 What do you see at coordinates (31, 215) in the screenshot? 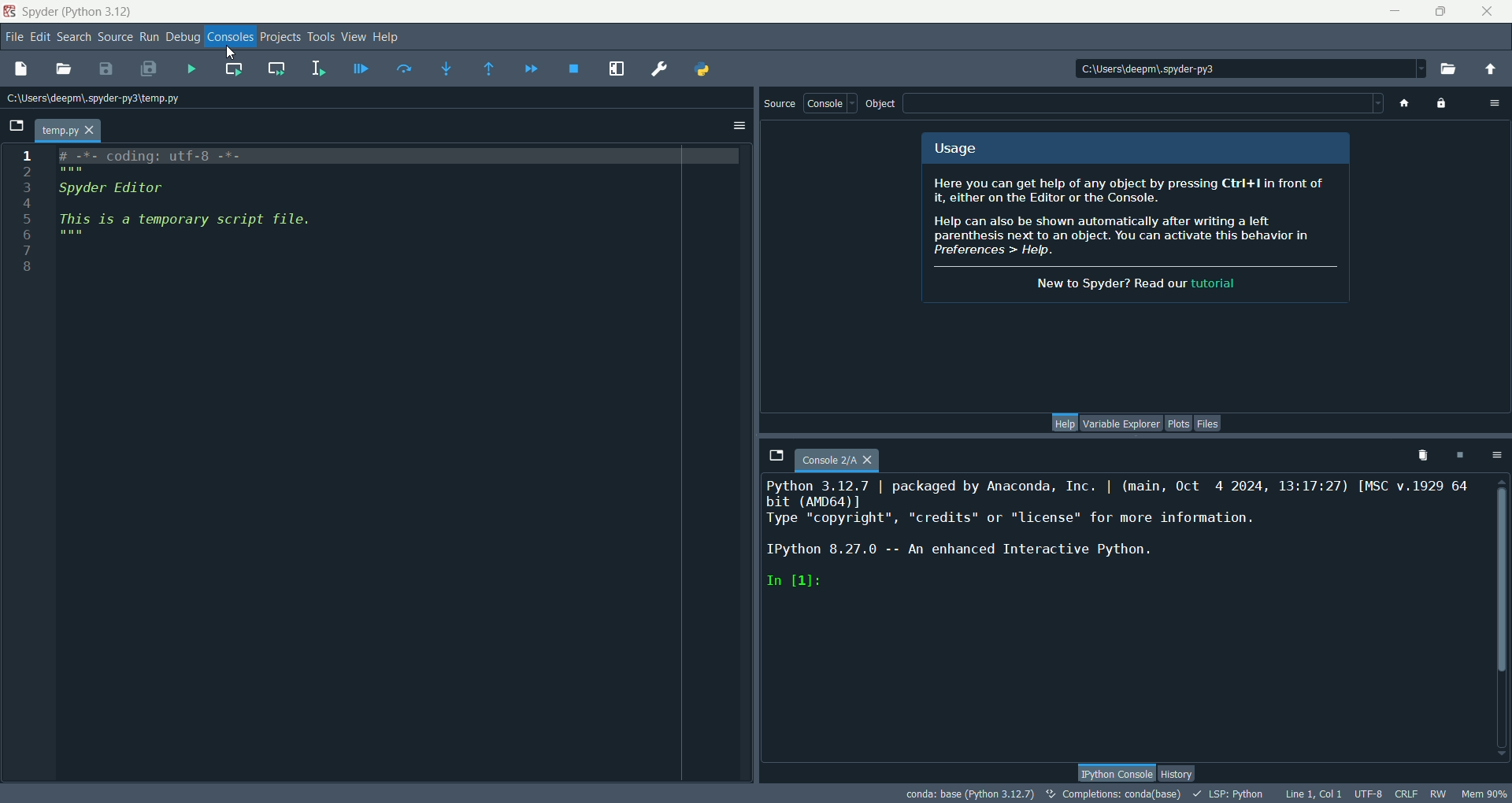
I see `line numbers` at bounding box center [31, 215].